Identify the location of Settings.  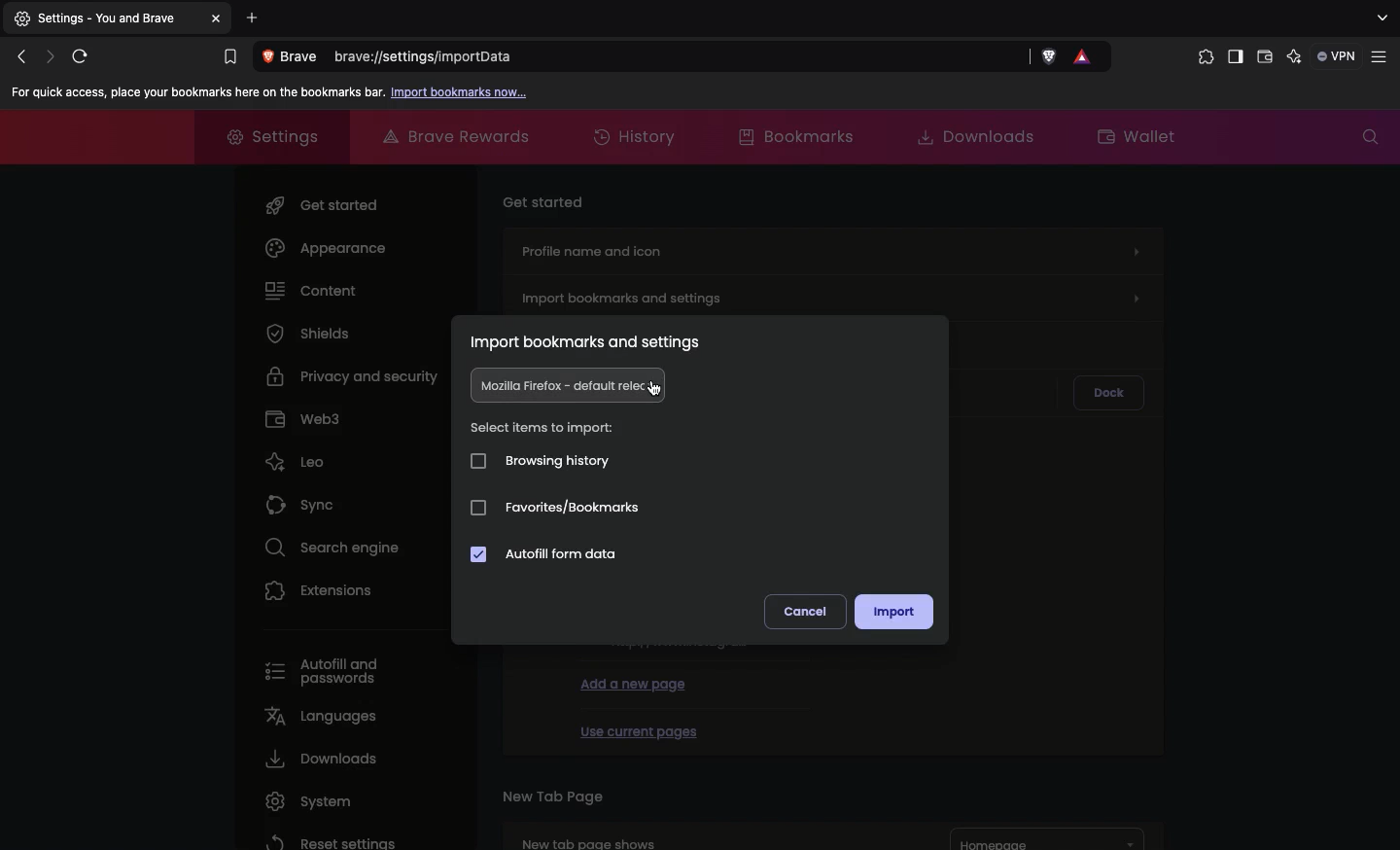
(264, 134).